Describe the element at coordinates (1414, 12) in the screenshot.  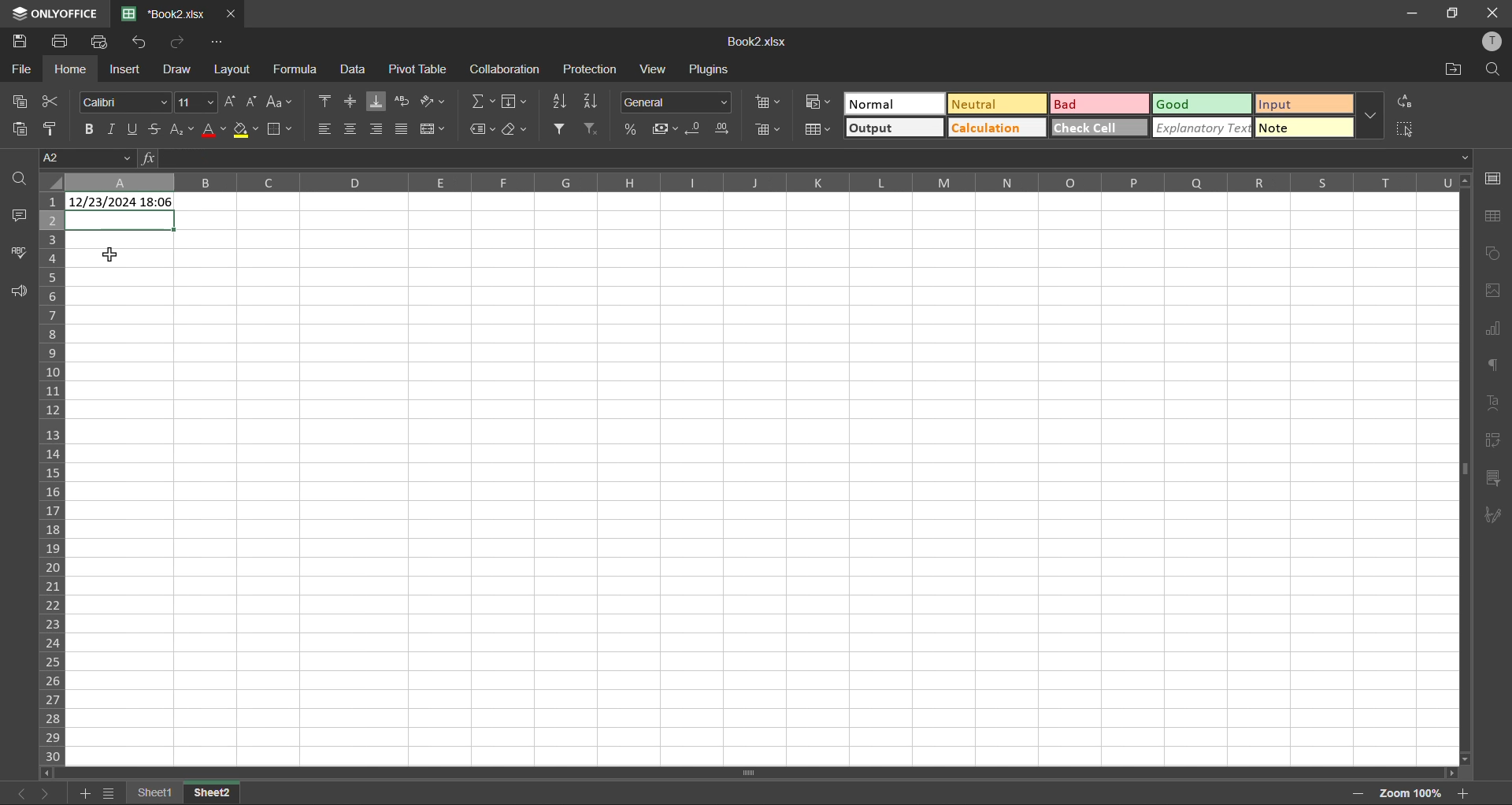
I see `minimize` at that location.